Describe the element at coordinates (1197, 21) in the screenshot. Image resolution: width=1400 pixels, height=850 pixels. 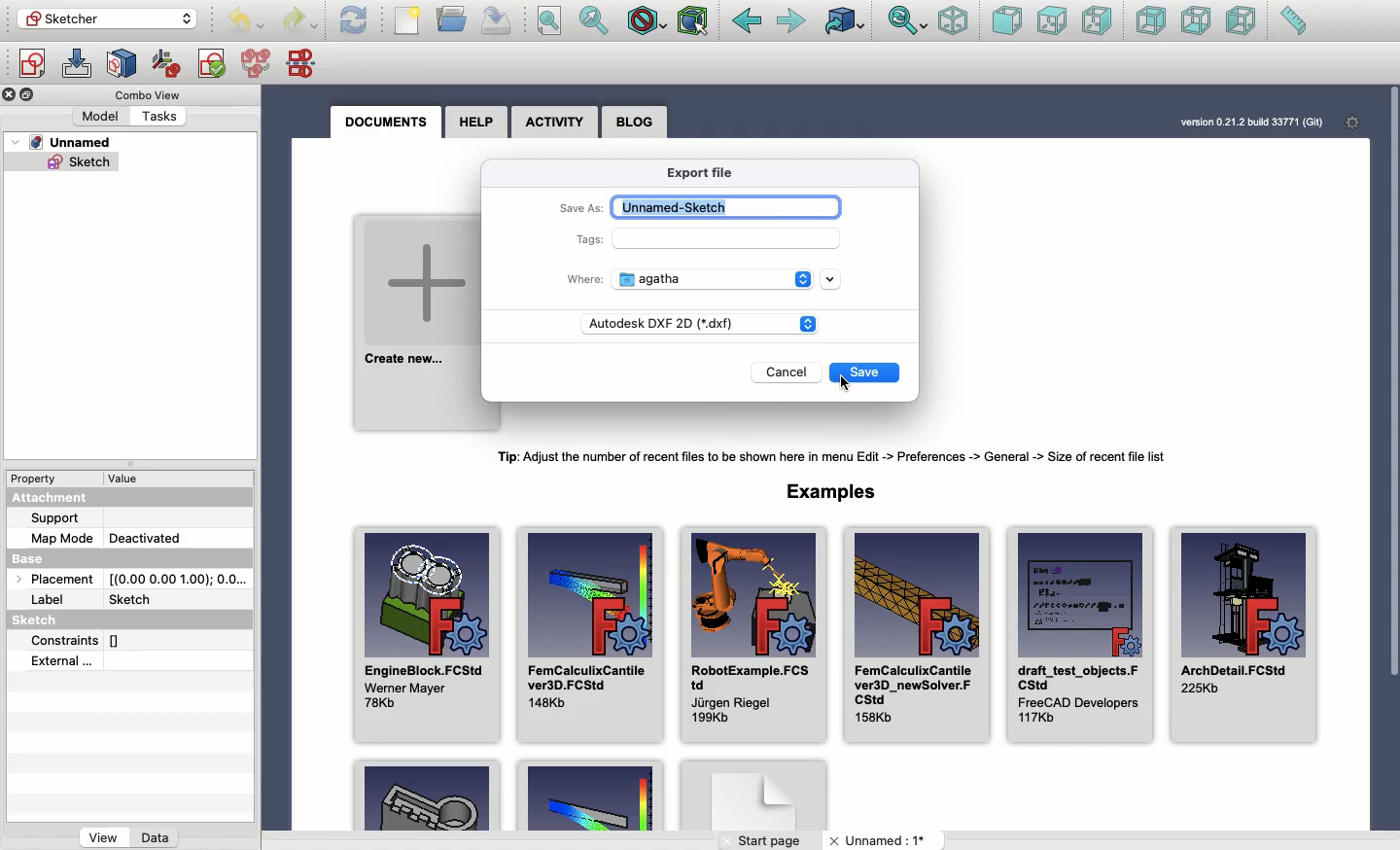
I see `Bottom` at that location.